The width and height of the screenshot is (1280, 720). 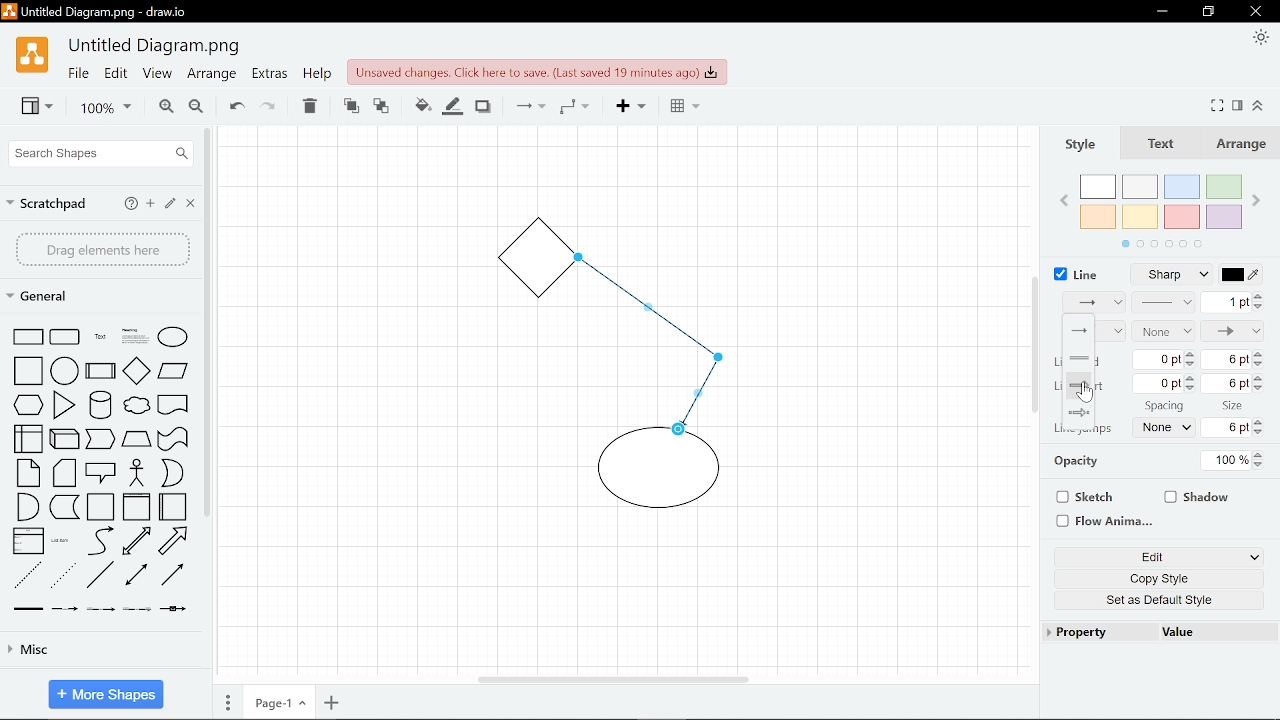 I want to click on shape, so click(x=100, y=507).